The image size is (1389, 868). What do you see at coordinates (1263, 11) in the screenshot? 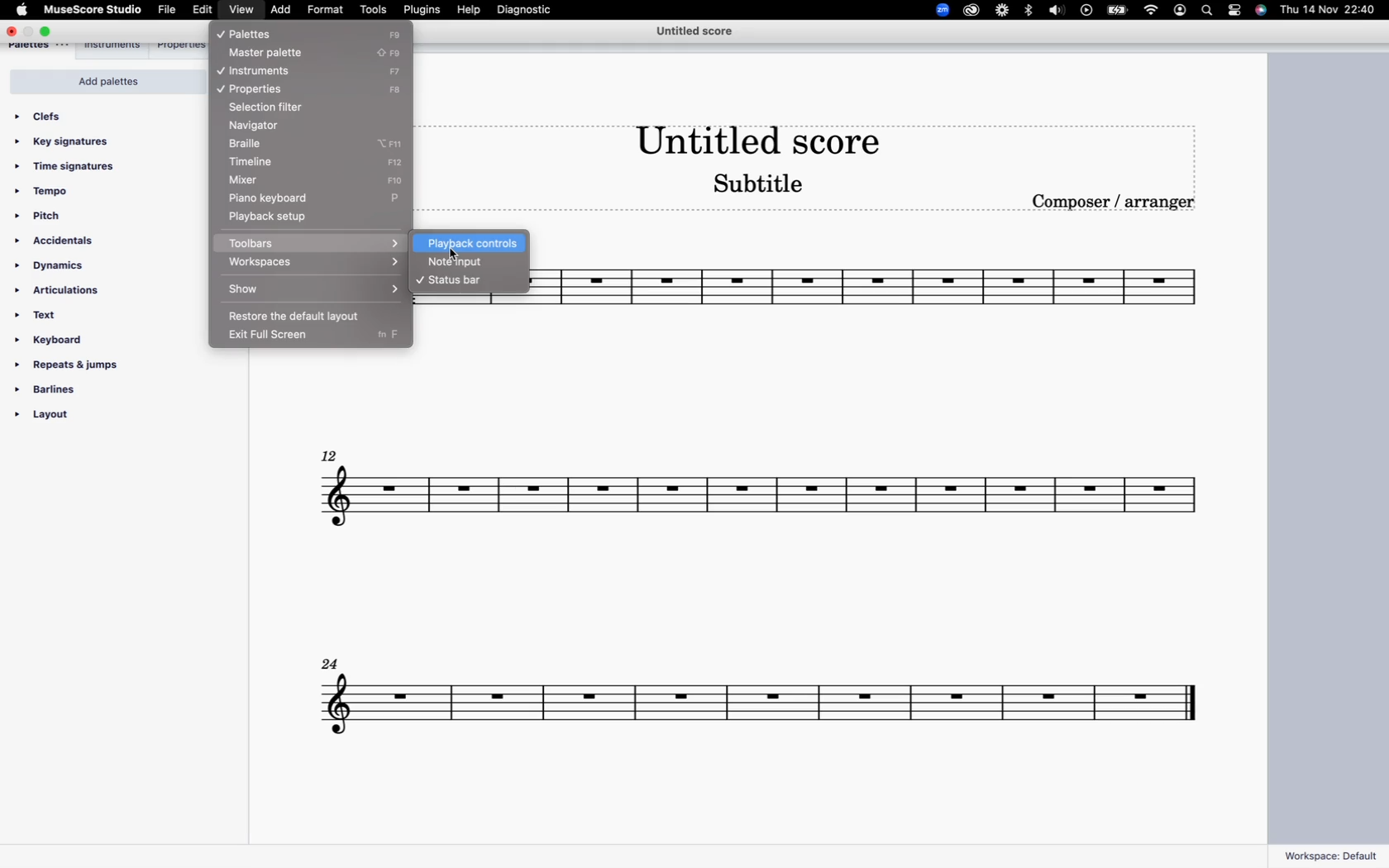
I see `siri` at bounding box center [1263, 11].